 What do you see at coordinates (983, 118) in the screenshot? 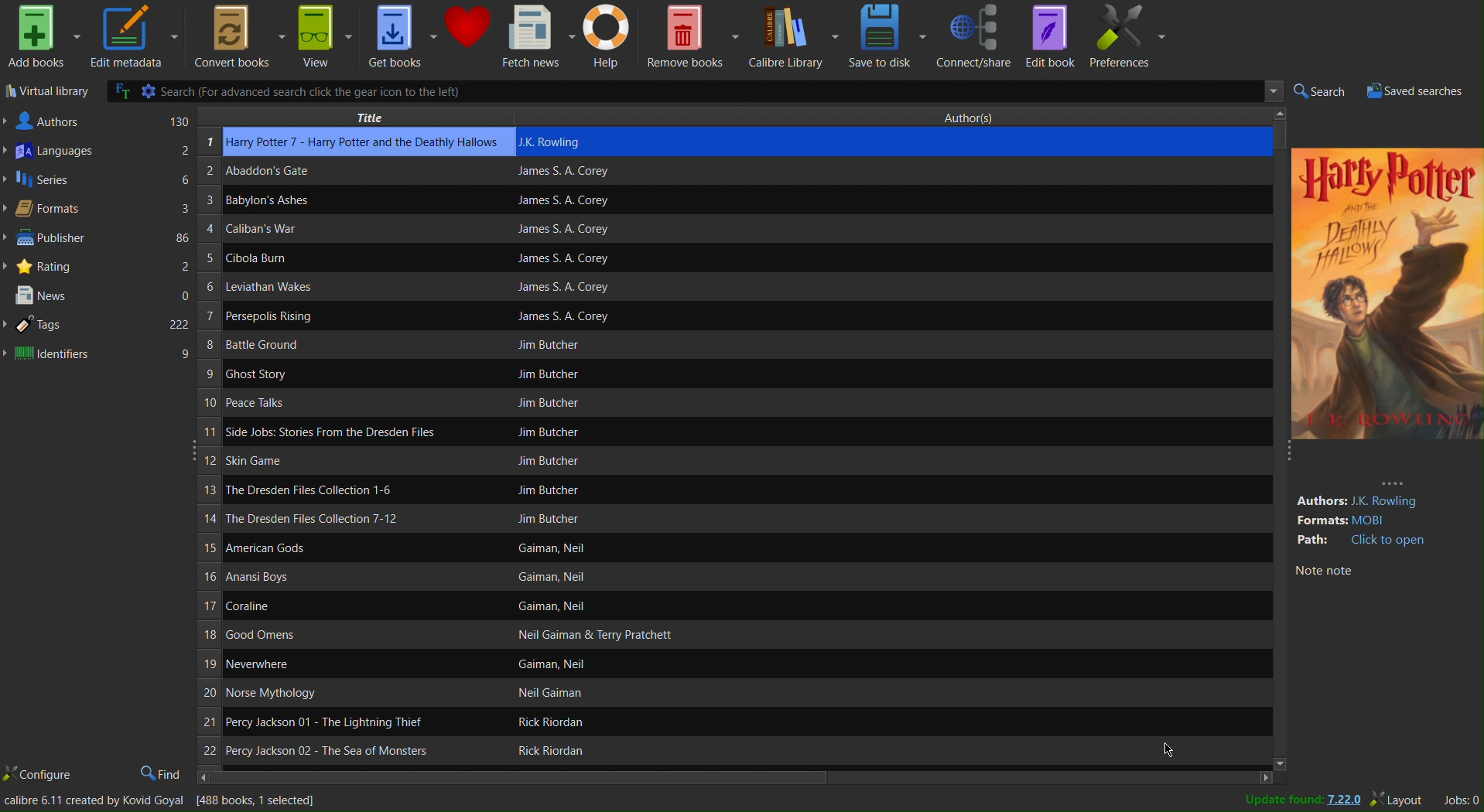
I see `Authors` at bounding box center [983, 118].